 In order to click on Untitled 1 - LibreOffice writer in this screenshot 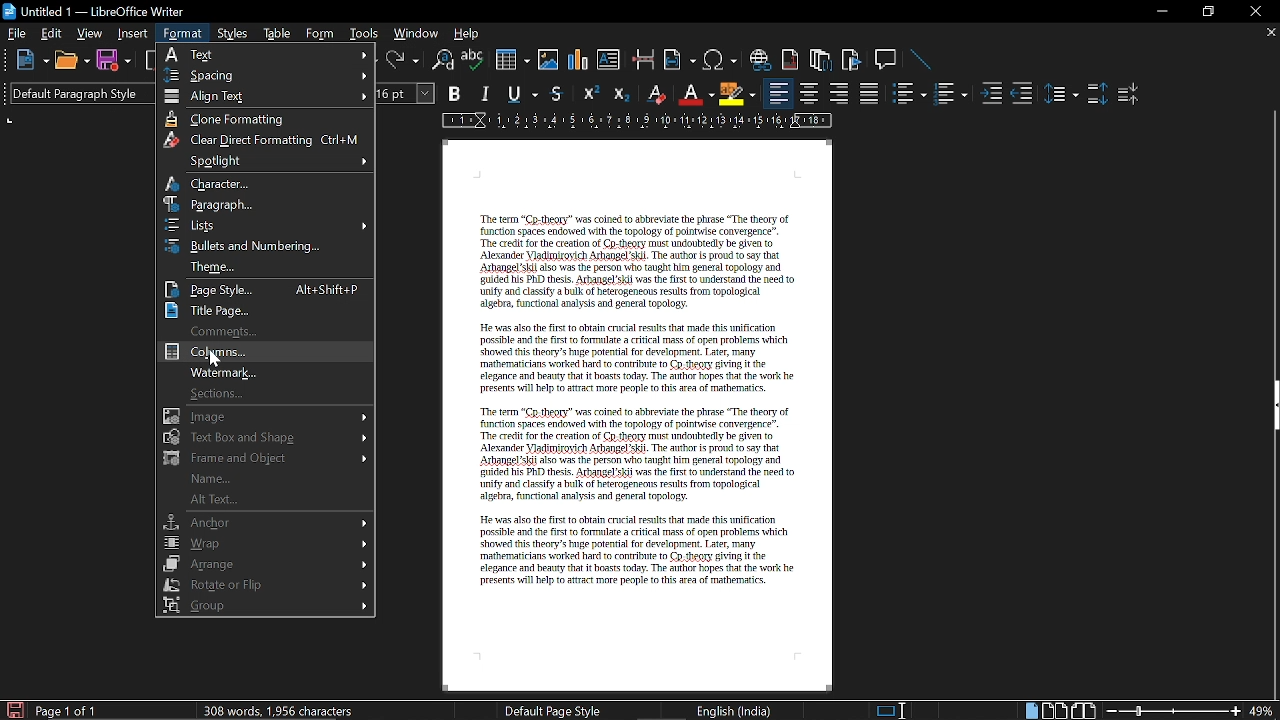, I will do `click(94, 11)`.